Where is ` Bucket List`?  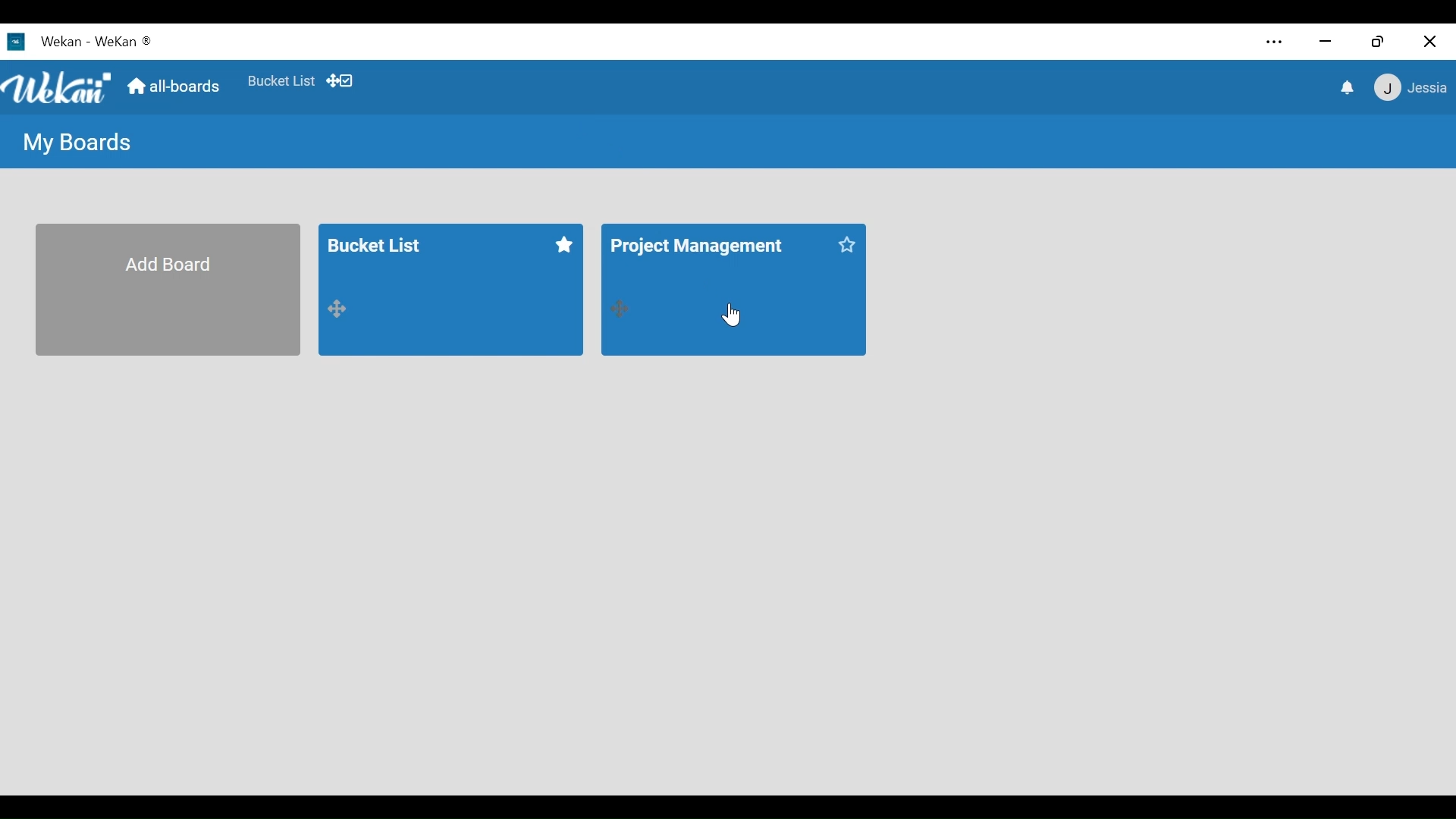  Bucket List is located at coordinates (393, 247).